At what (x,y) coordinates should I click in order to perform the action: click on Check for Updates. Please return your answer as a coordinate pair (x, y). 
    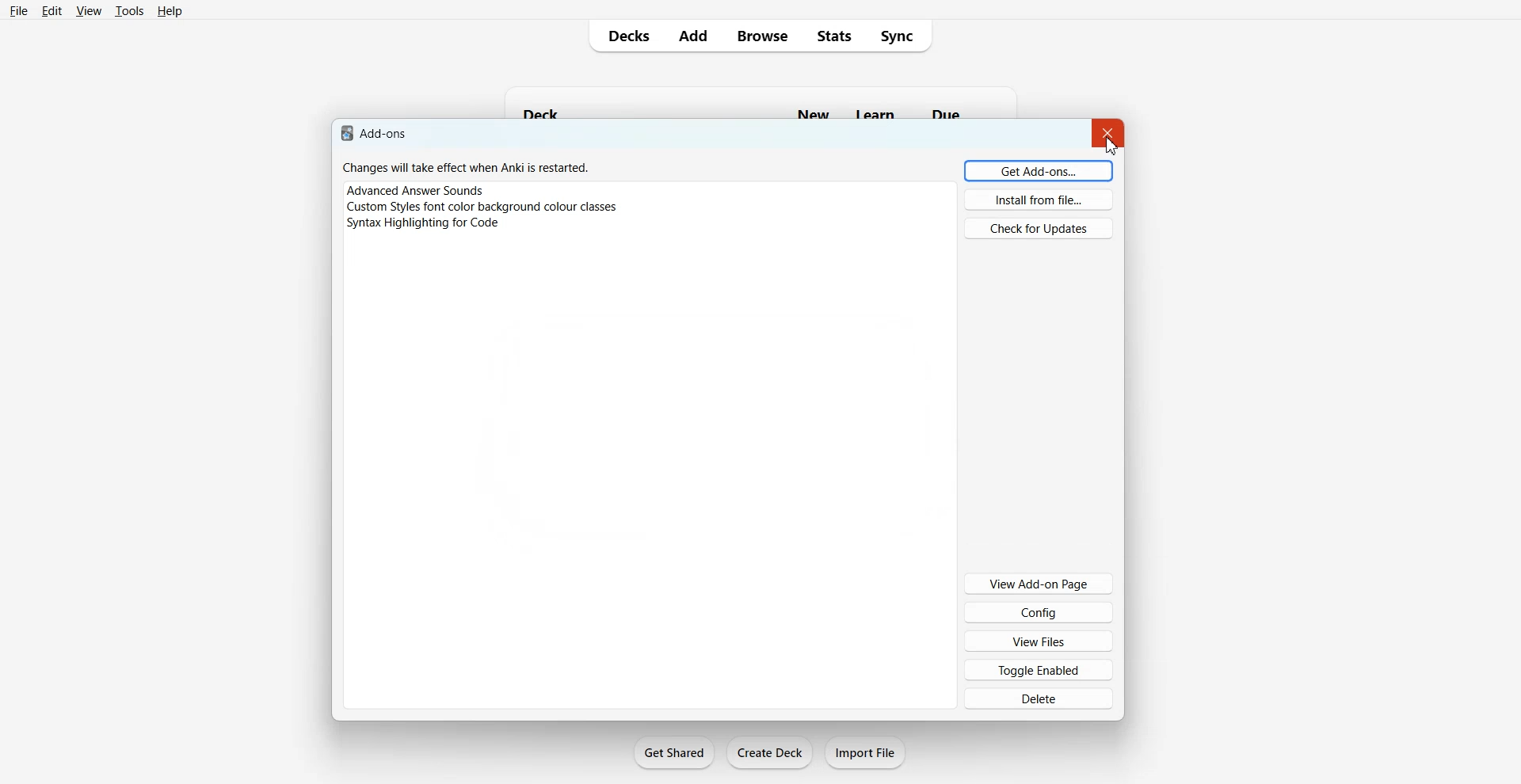
    Looking at the image, I should click on (1038, 228).